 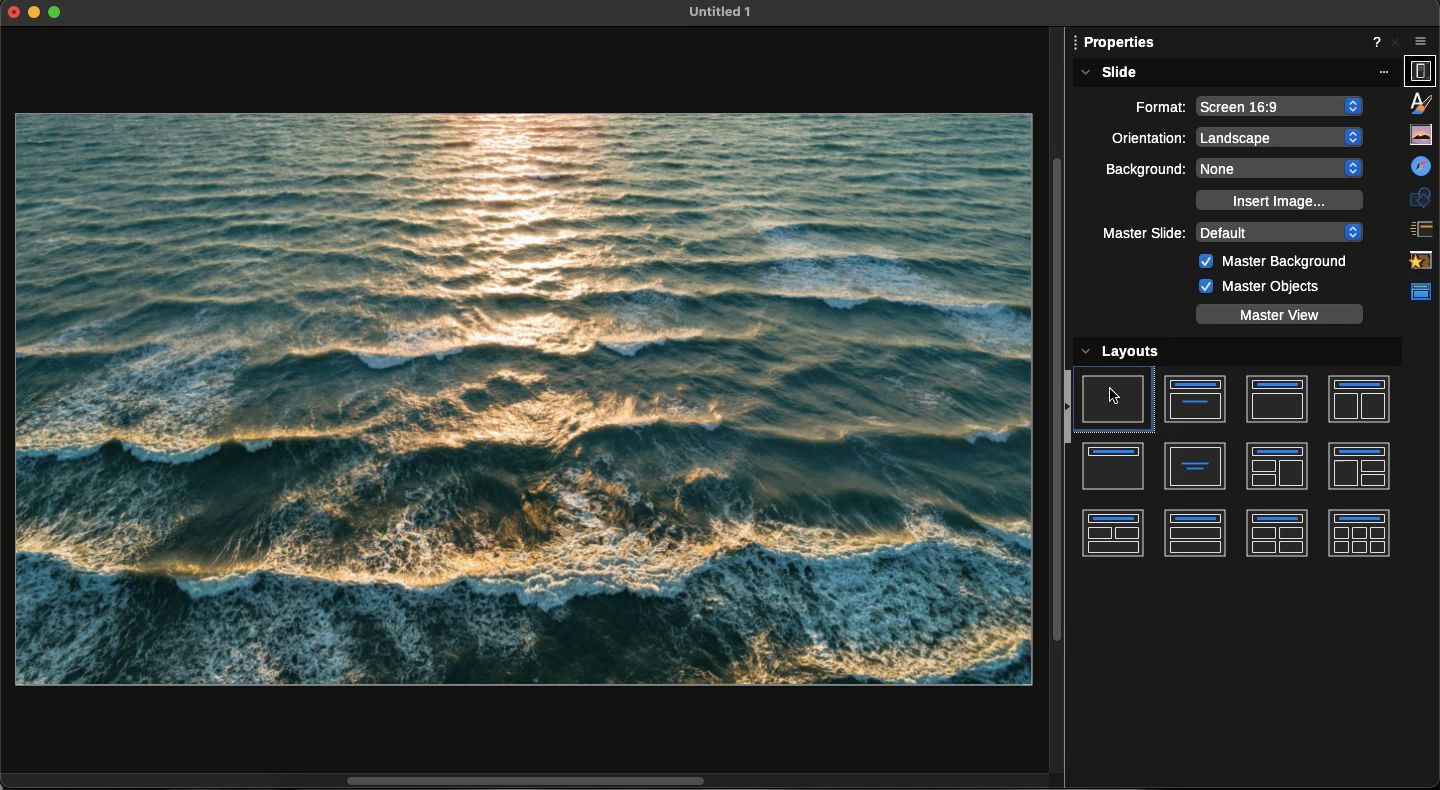 I want to click on Expand, so click(x=55, y=12).